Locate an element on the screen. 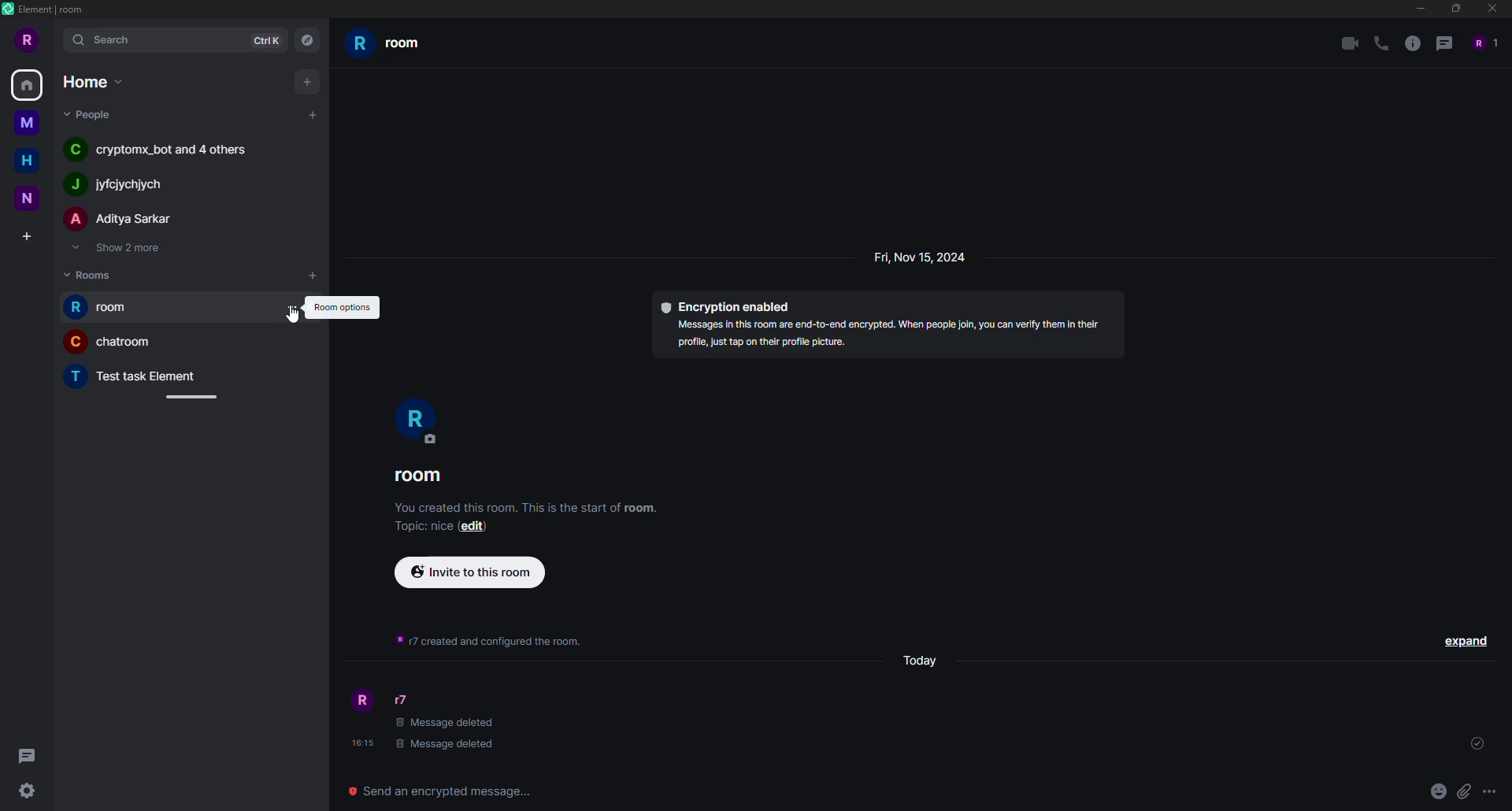  day is located at coordinates (923, 663).